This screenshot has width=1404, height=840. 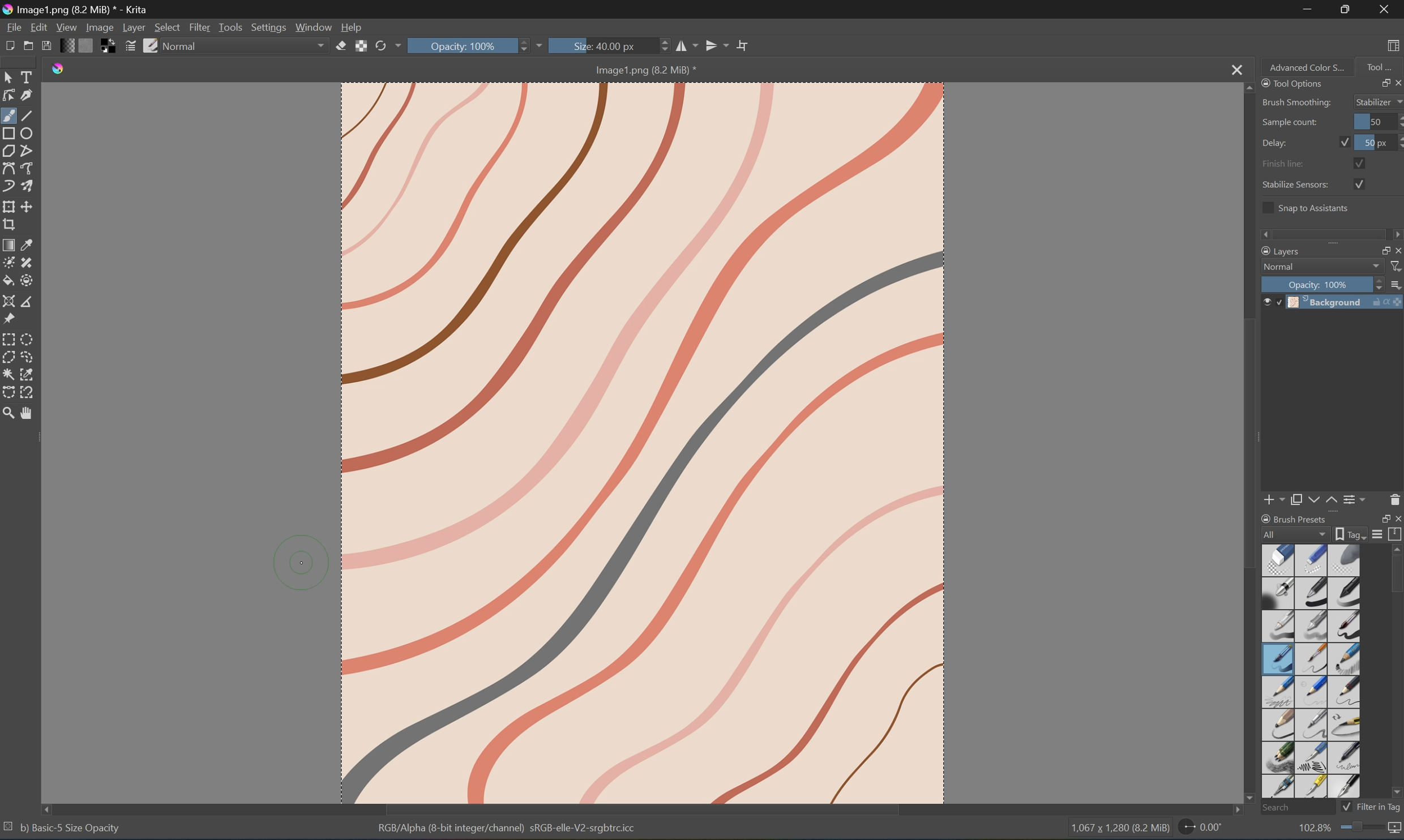 What do you see at coordinates (1380, 807) in the screenshot?
I see `Filter in tag` at bounding box center [1380, 807].